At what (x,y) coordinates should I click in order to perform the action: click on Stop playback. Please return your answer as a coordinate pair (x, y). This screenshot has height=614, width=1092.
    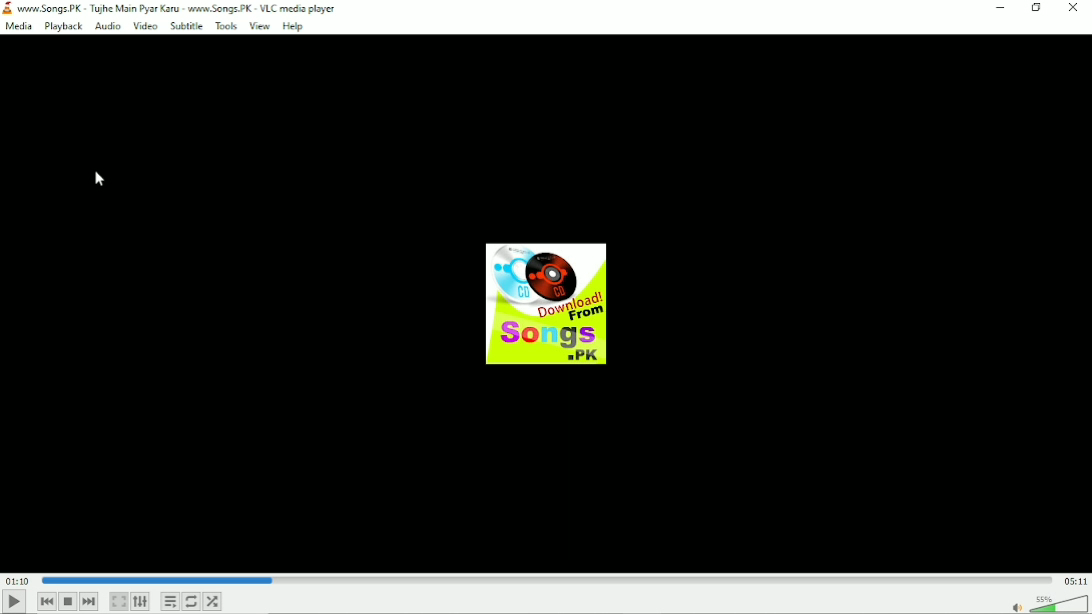
    Looking at the image, I should click on (69, 601).